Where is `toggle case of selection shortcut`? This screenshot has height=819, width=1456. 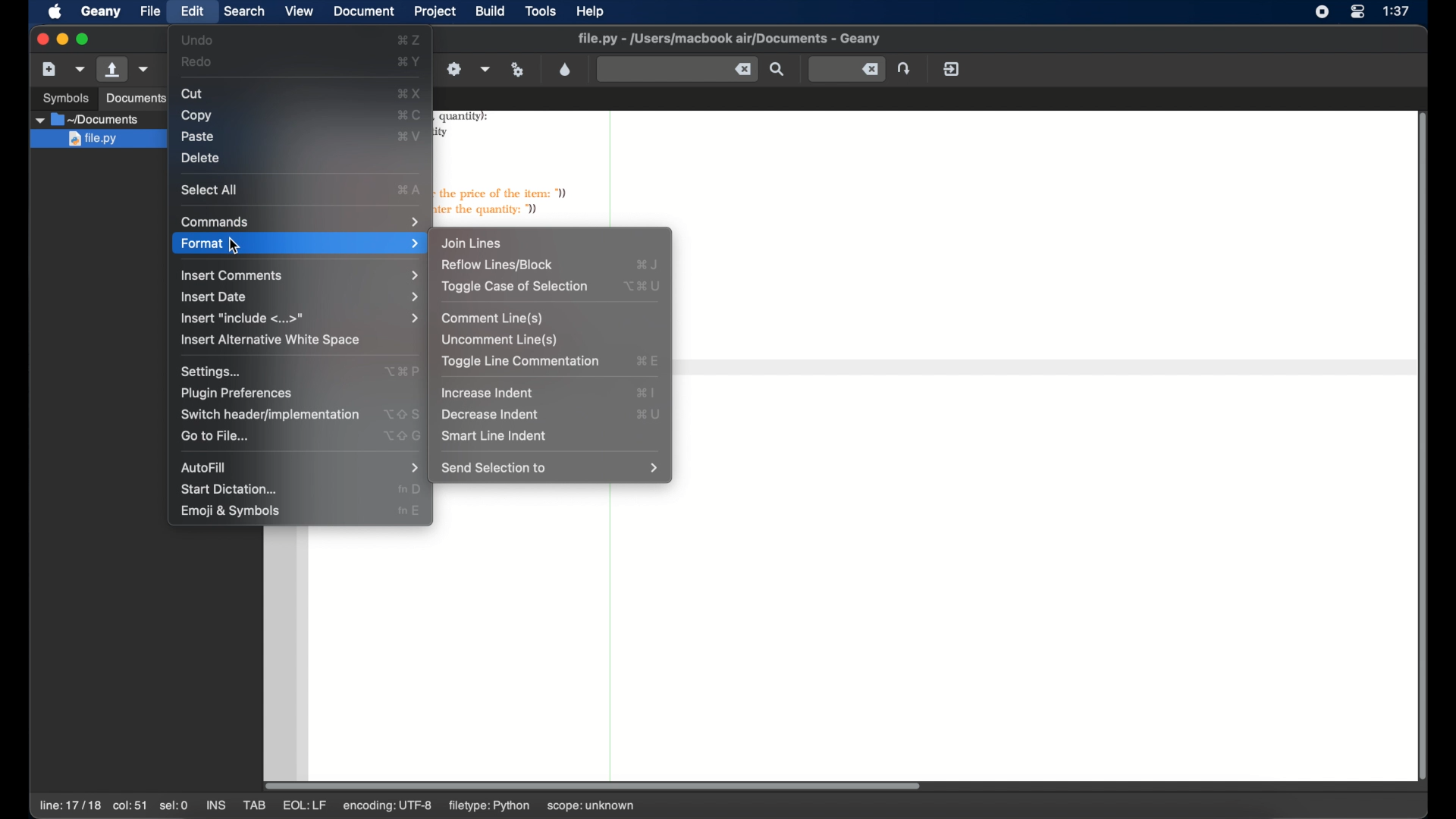 toggle case of selection shortcut is located at coordinates (642, 286).